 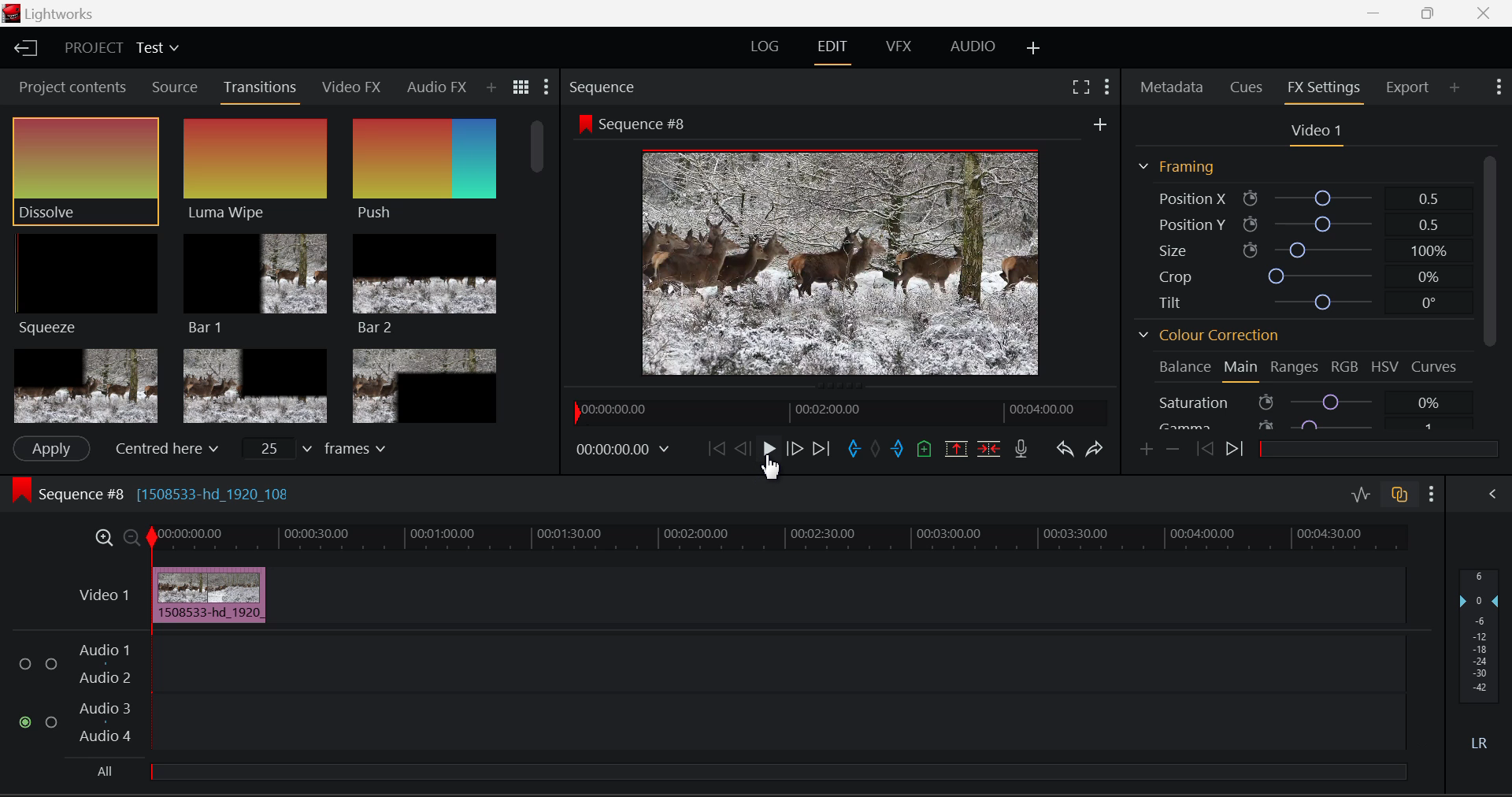 I want to click on RGB, so click(x=1342, y=369).